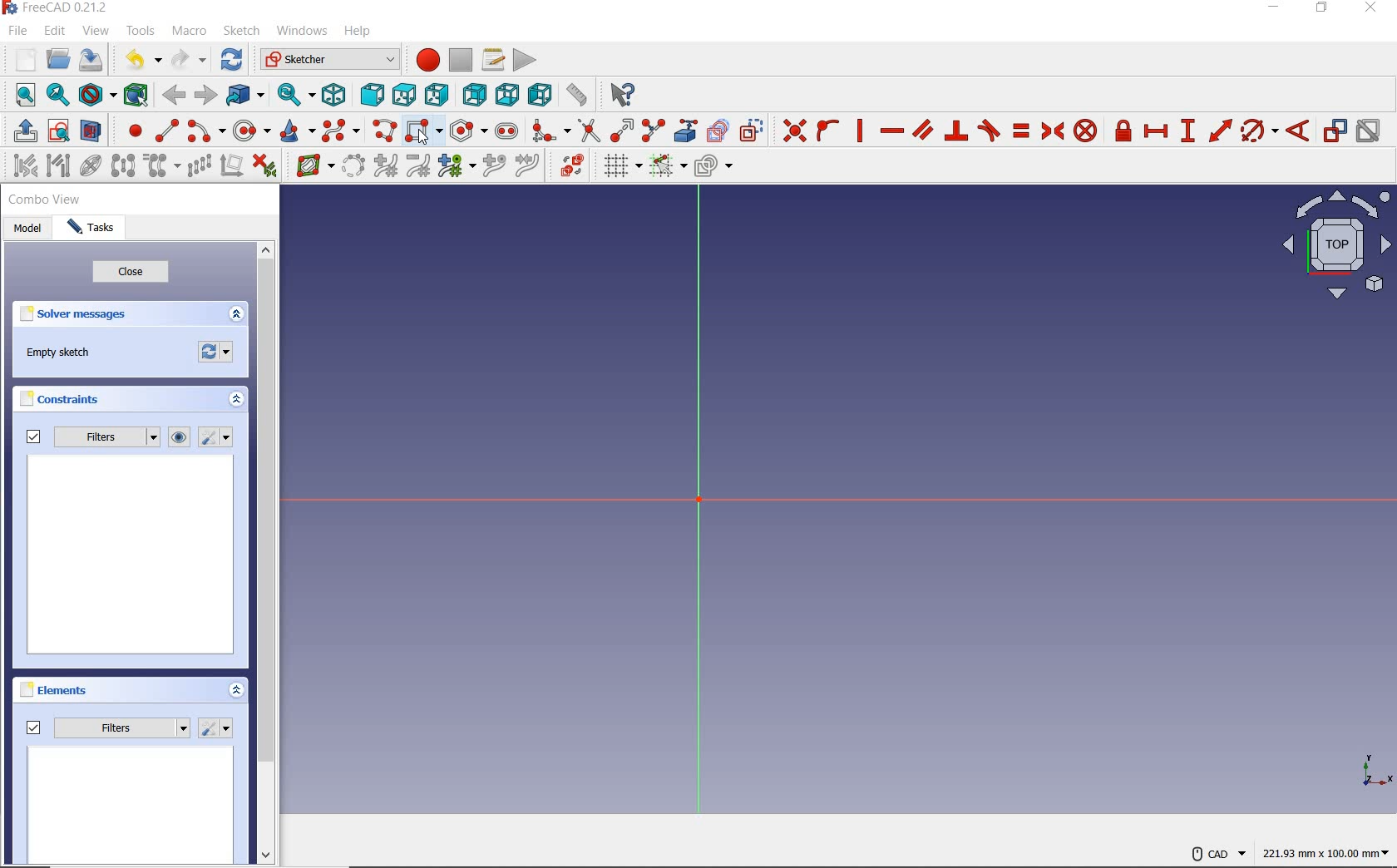 Image resolution: width=1397 pixels, height=868 pixels. What do you see at coordinates (423, 138) in the screenshot?
I see `cursor at create rectangle option` at bounding box center [423, 138].